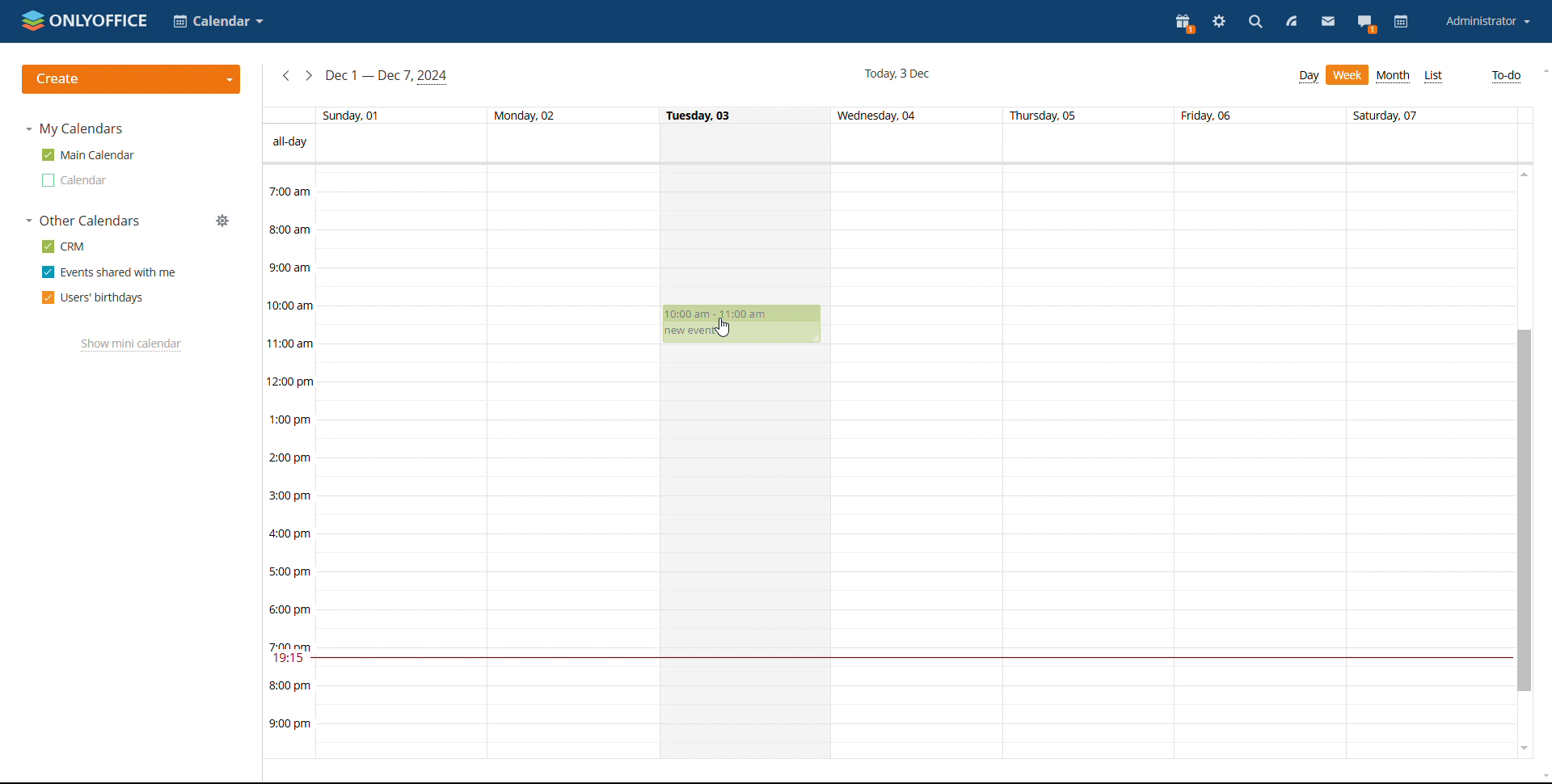 Image resolution: width=1552 pixels, height=784 pixels. What do you see at coordinates (1045, 116) in the screenshot?
I see `Thursday, 05` at bounding box center [1045, 116].